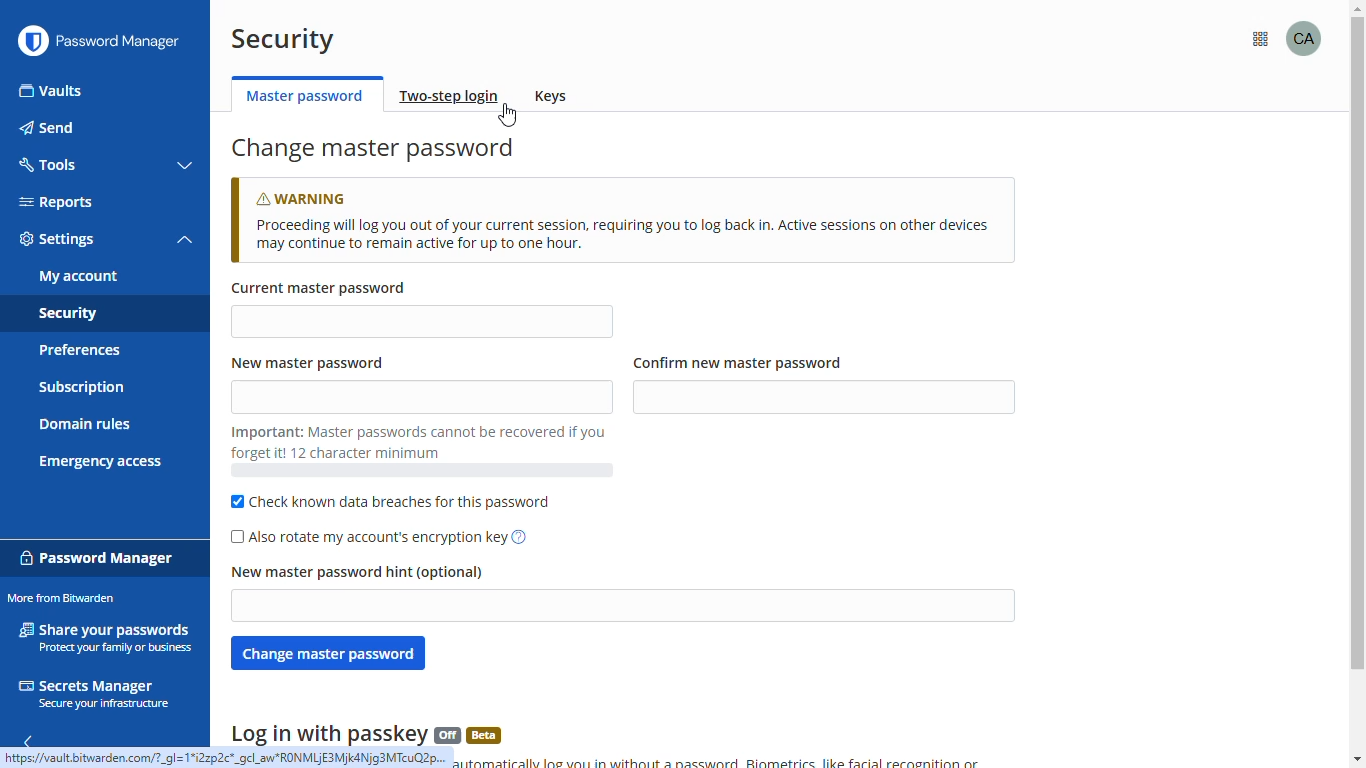  Describe the element at coordinates (126, 41) in the screenshot. I see `password manager` at that location.